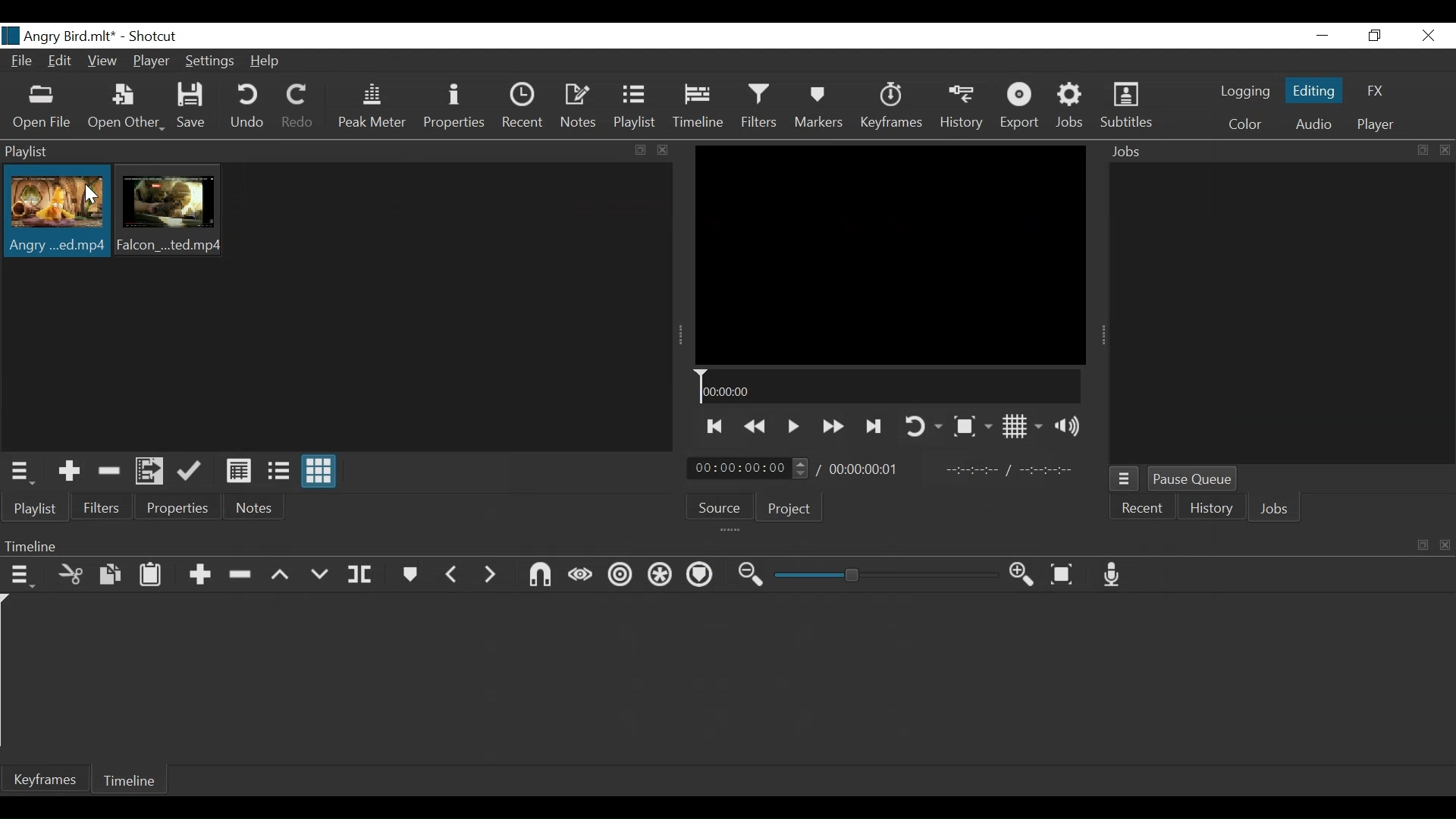 The image size is (1456, 819). Describe the element at coordinates (256, 507) in the screenshot. I see `Notes` at that location.